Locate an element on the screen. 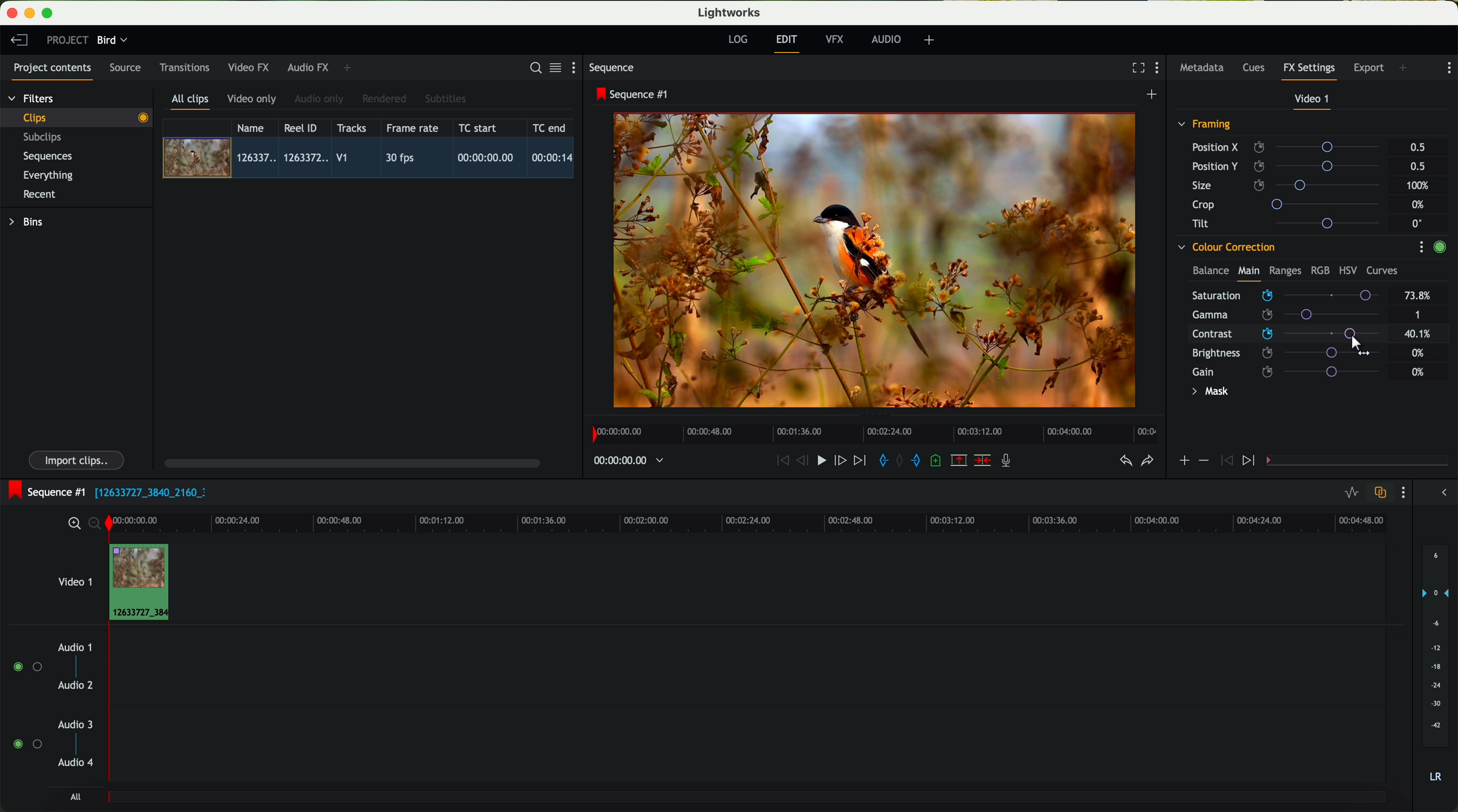 The height and width of the screenshot is (812, 1458). 1 is located at coordinates (1418, 316).